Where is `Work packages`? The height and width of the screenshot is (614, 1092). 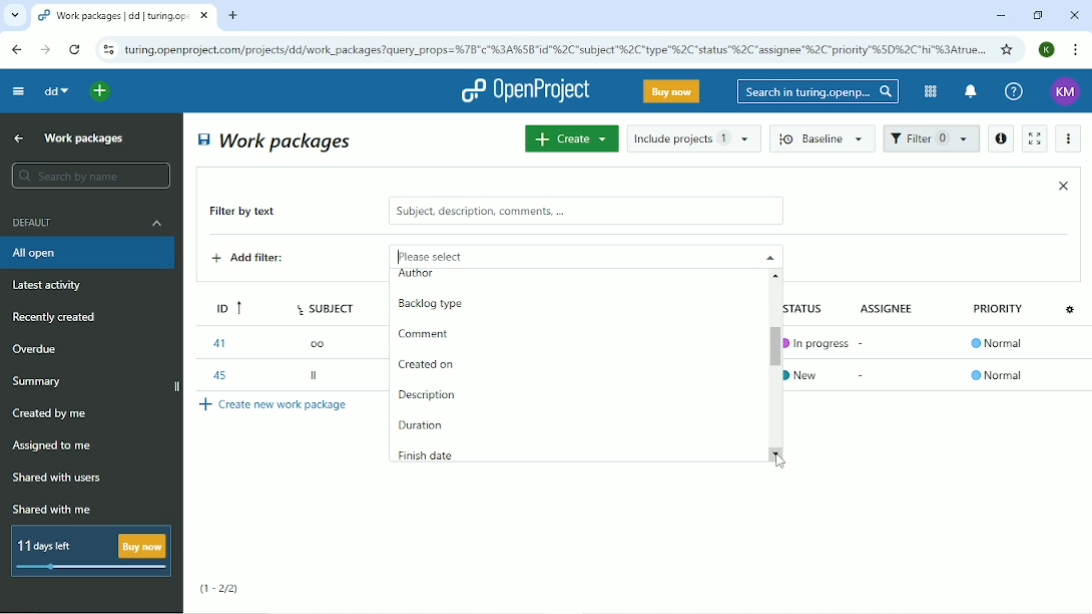
Work packages is located at coordinates (276, 140).